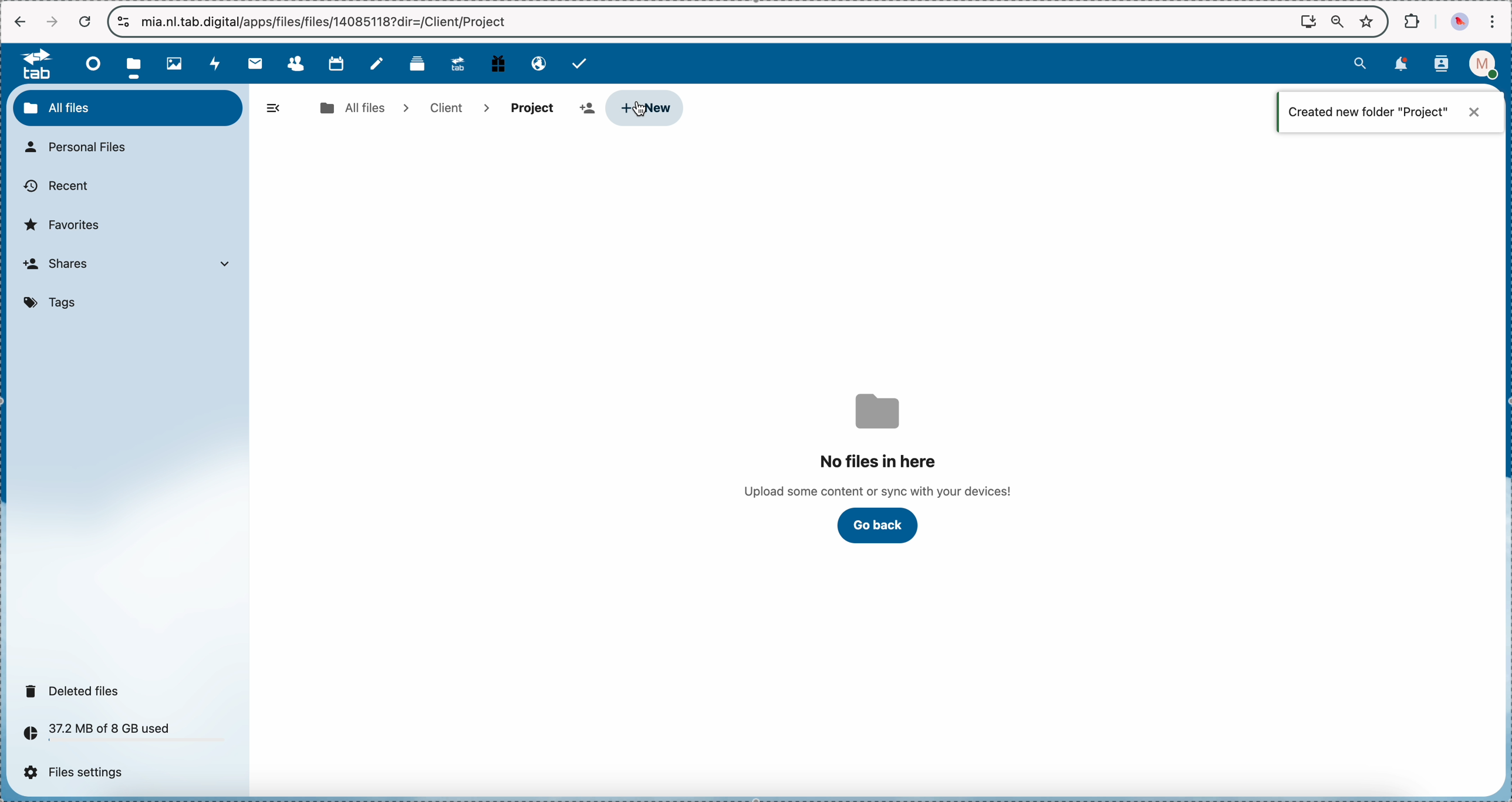 The width and height of the screenshot is (1512, 802). Describe the element at coordinates (883, 493) in the screenshot. I see `upload some content or sync with your devices!` at that location.